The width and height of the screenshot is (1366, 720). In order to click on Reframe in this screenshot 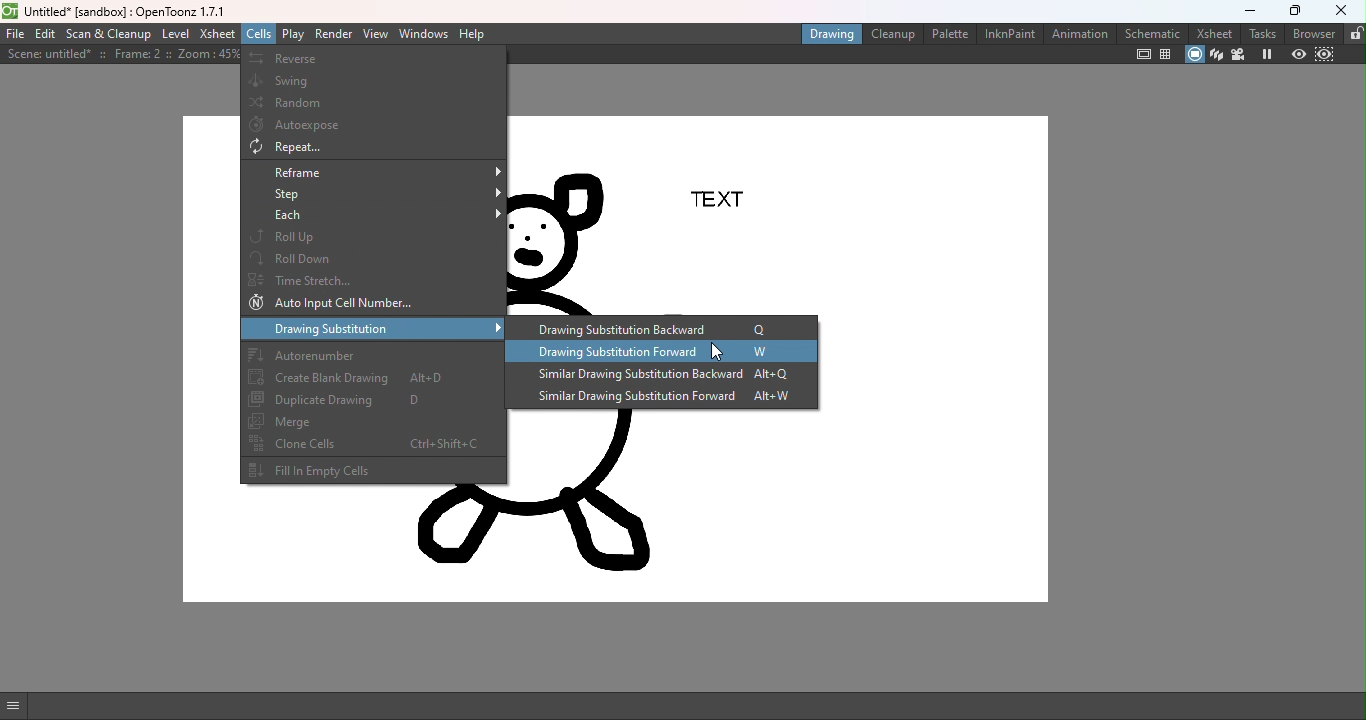, I will do `click(378, 172)`.